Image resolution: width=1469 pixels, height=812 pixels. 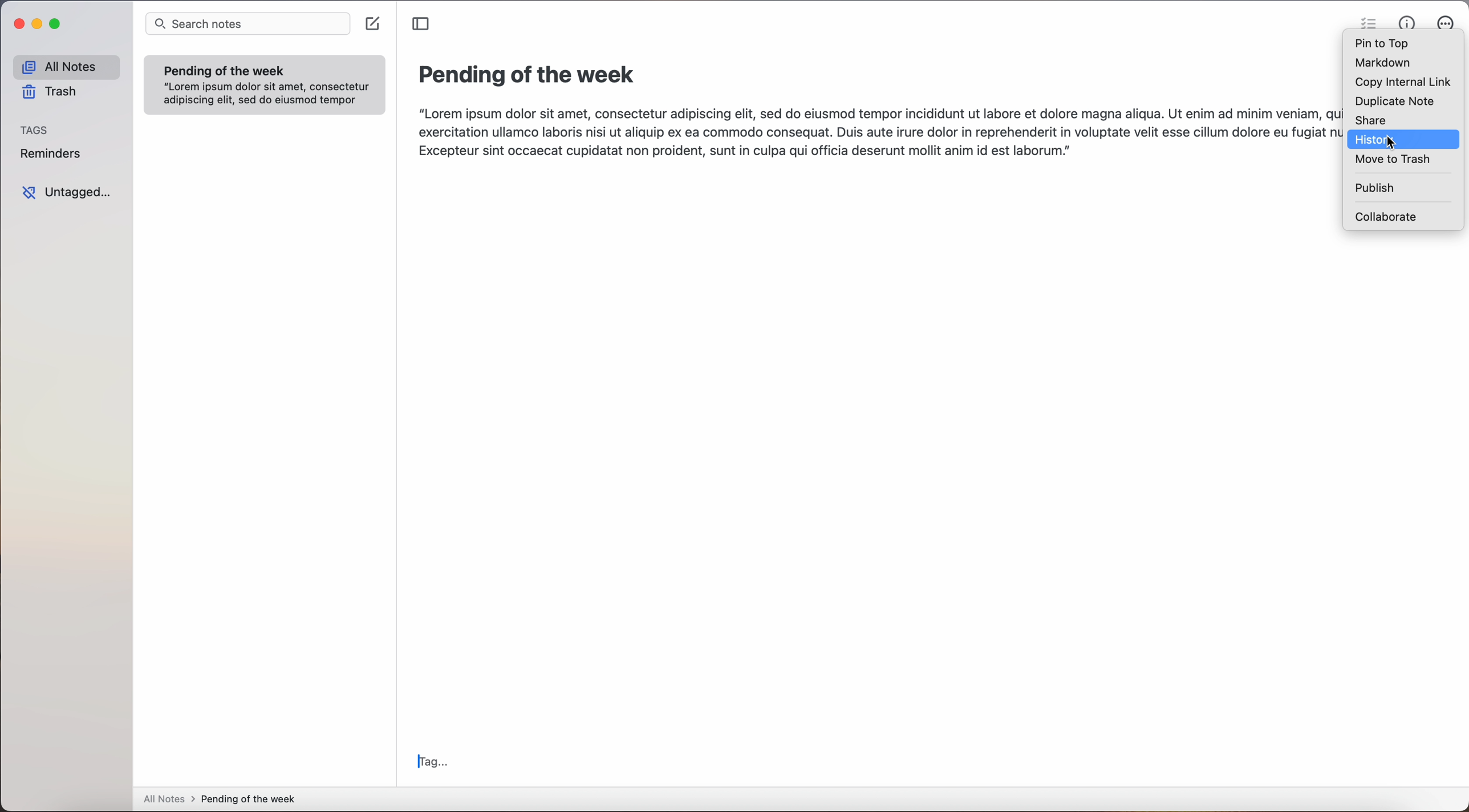 I want to click on tags, so click(x=36, y=130).